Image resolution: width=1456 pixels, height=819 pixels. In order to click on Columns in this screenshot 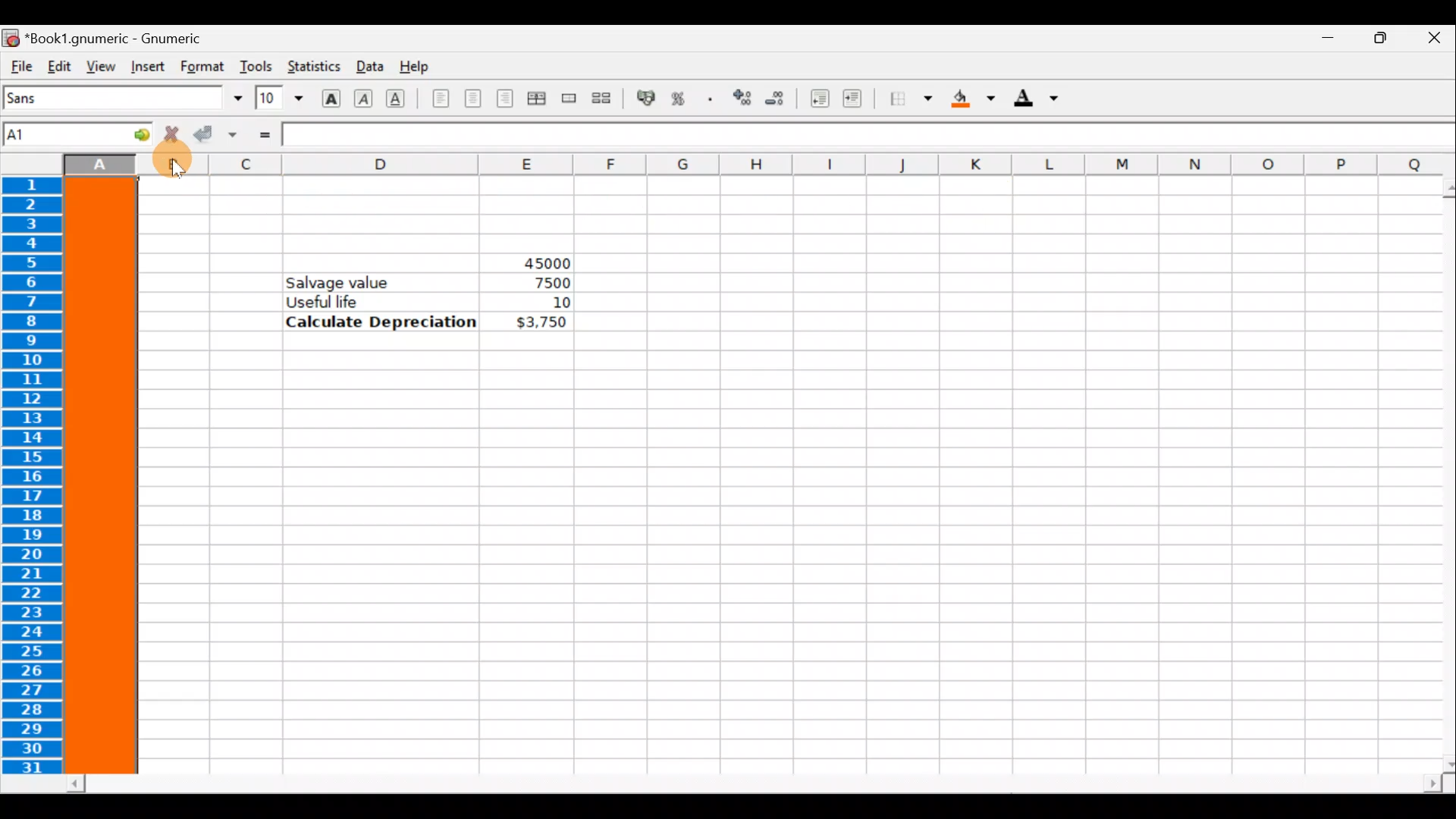, I will do `click(725, 165)`.